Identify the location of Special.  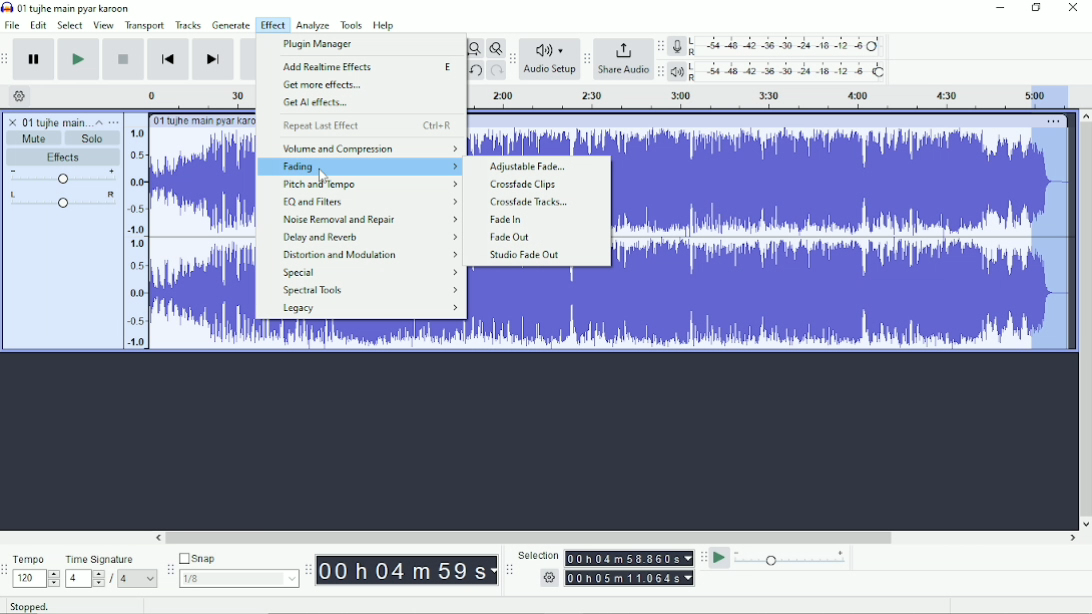
(369, 272).